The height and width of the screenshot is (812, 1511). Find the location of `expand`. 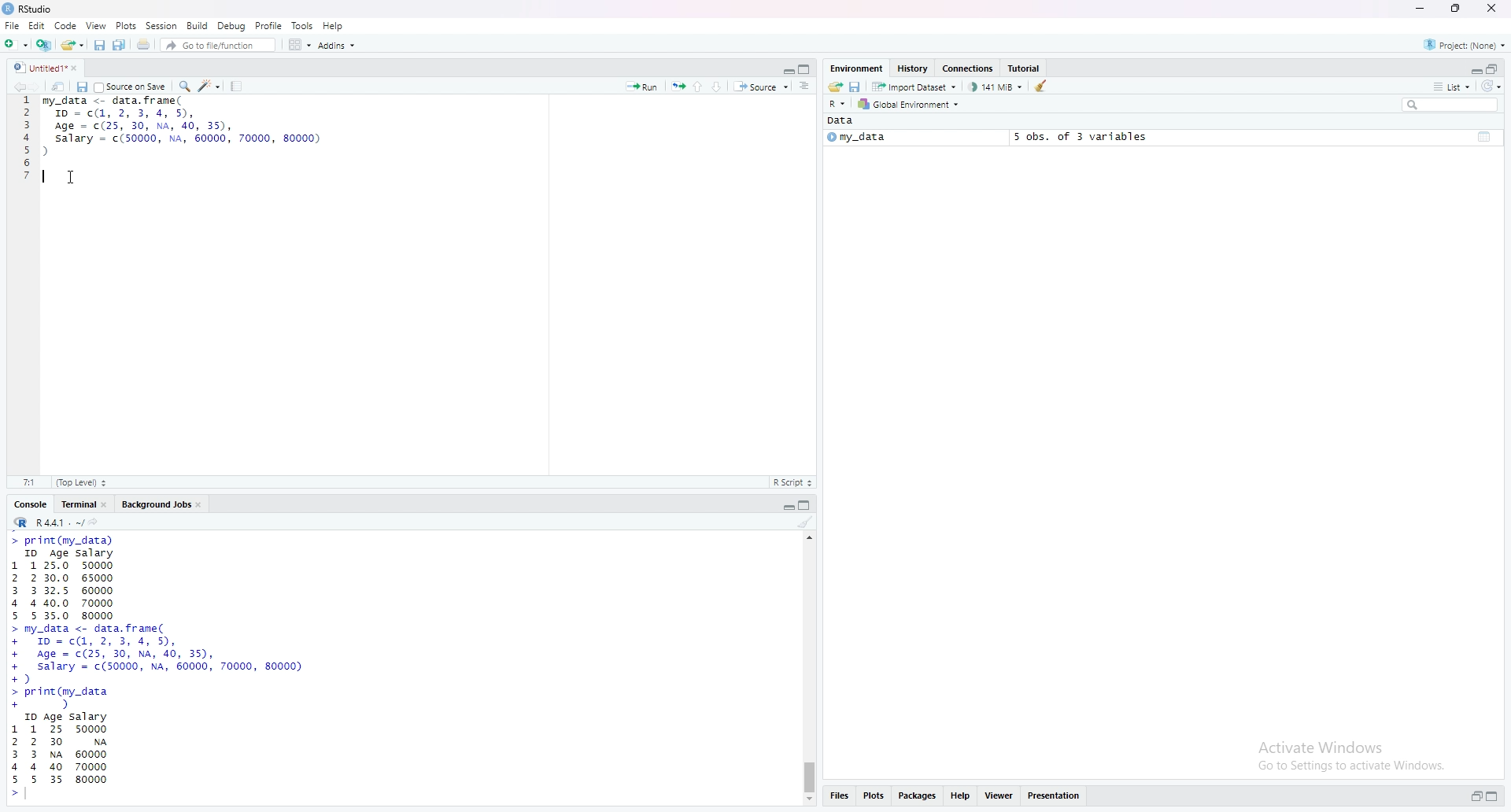

expand is located at coordinates (1475, 797).